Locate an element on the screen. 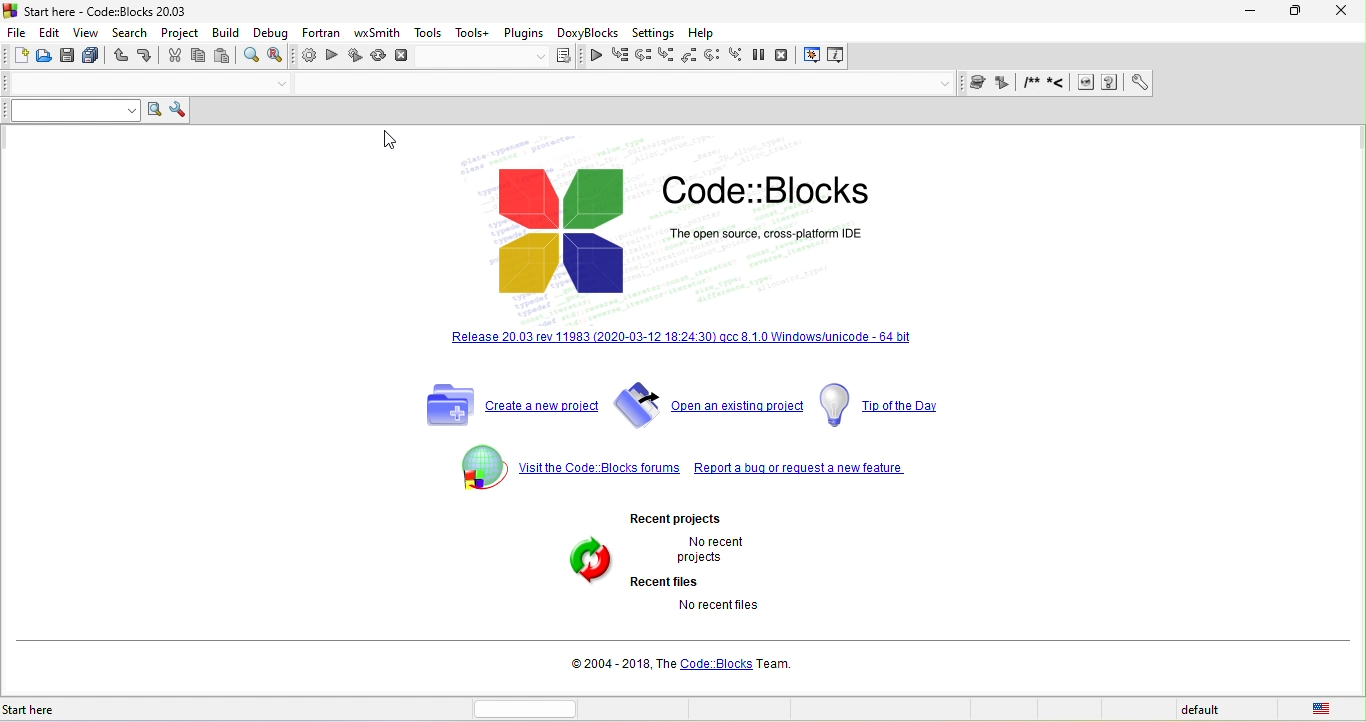  the open source cross platform ide is located at coordinates (774, 232).